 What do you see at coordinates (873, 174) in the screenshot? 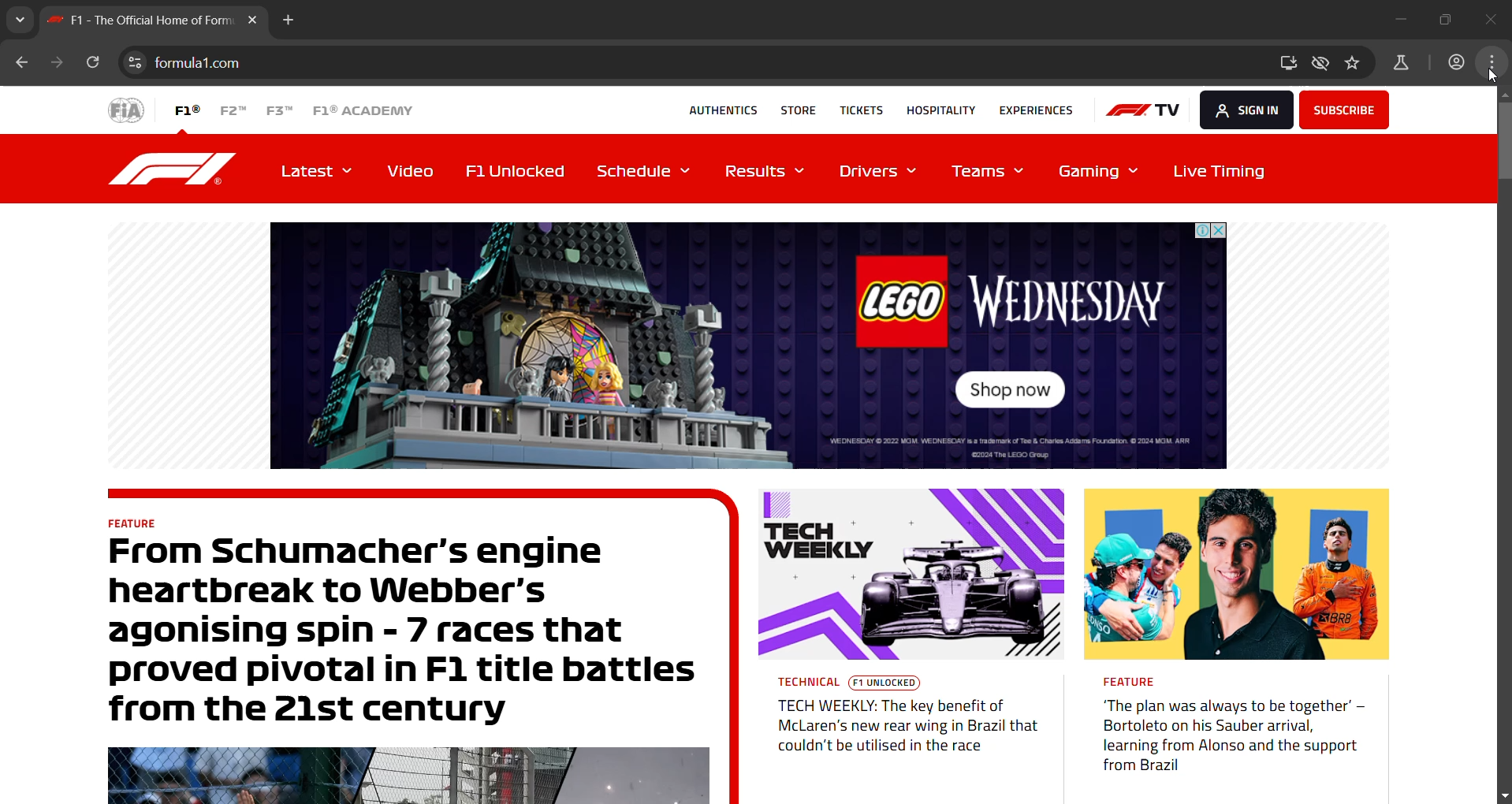
I see `Drivers ` at bounding box center [873, 174].